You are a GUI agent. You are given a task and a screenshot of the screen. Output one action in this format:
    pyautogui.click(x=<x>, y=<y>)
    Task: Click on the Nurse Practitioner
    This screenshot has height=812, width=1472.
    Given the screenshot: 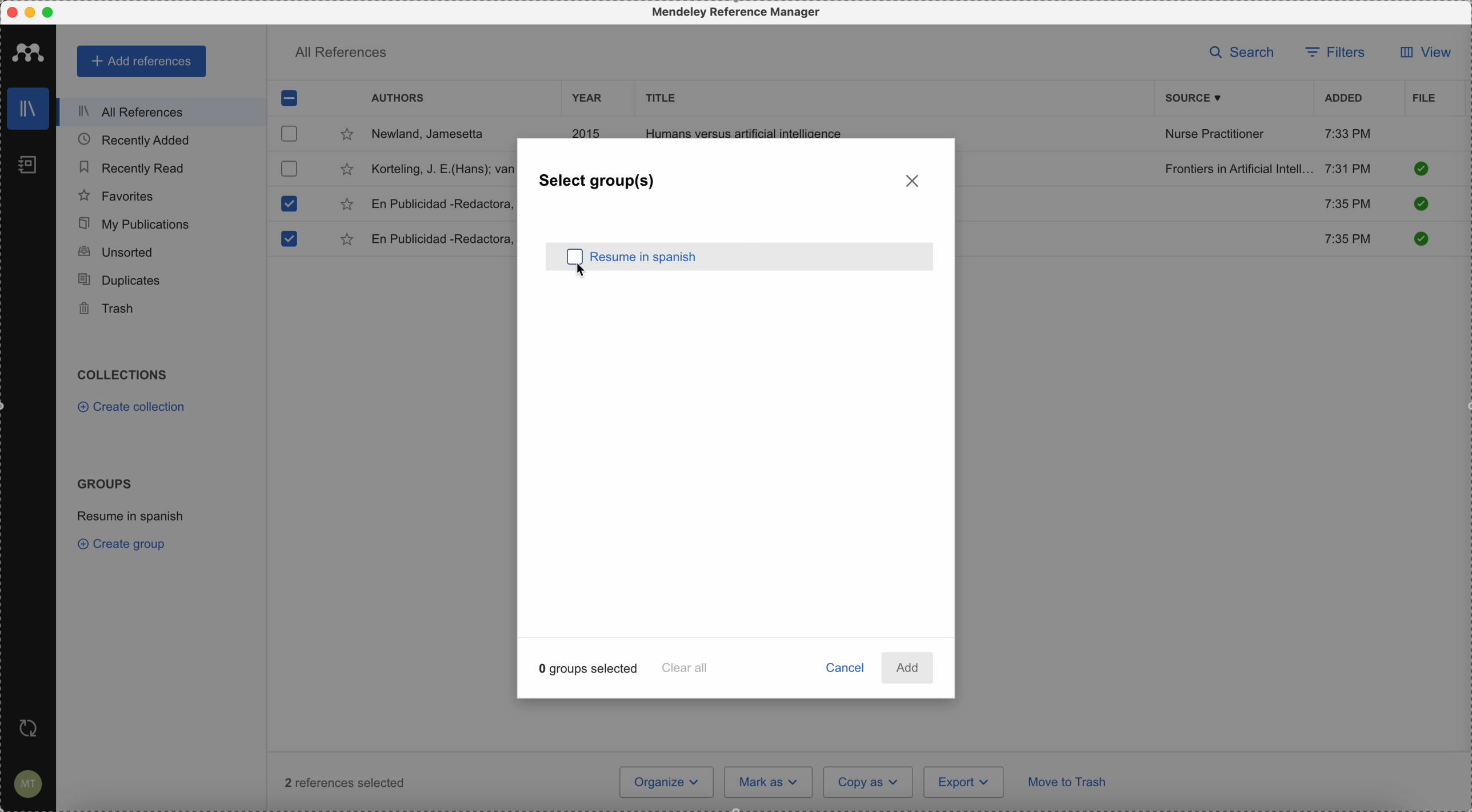 What is the action you would take?
    pyautogui.click(x=1217, y=134)
    